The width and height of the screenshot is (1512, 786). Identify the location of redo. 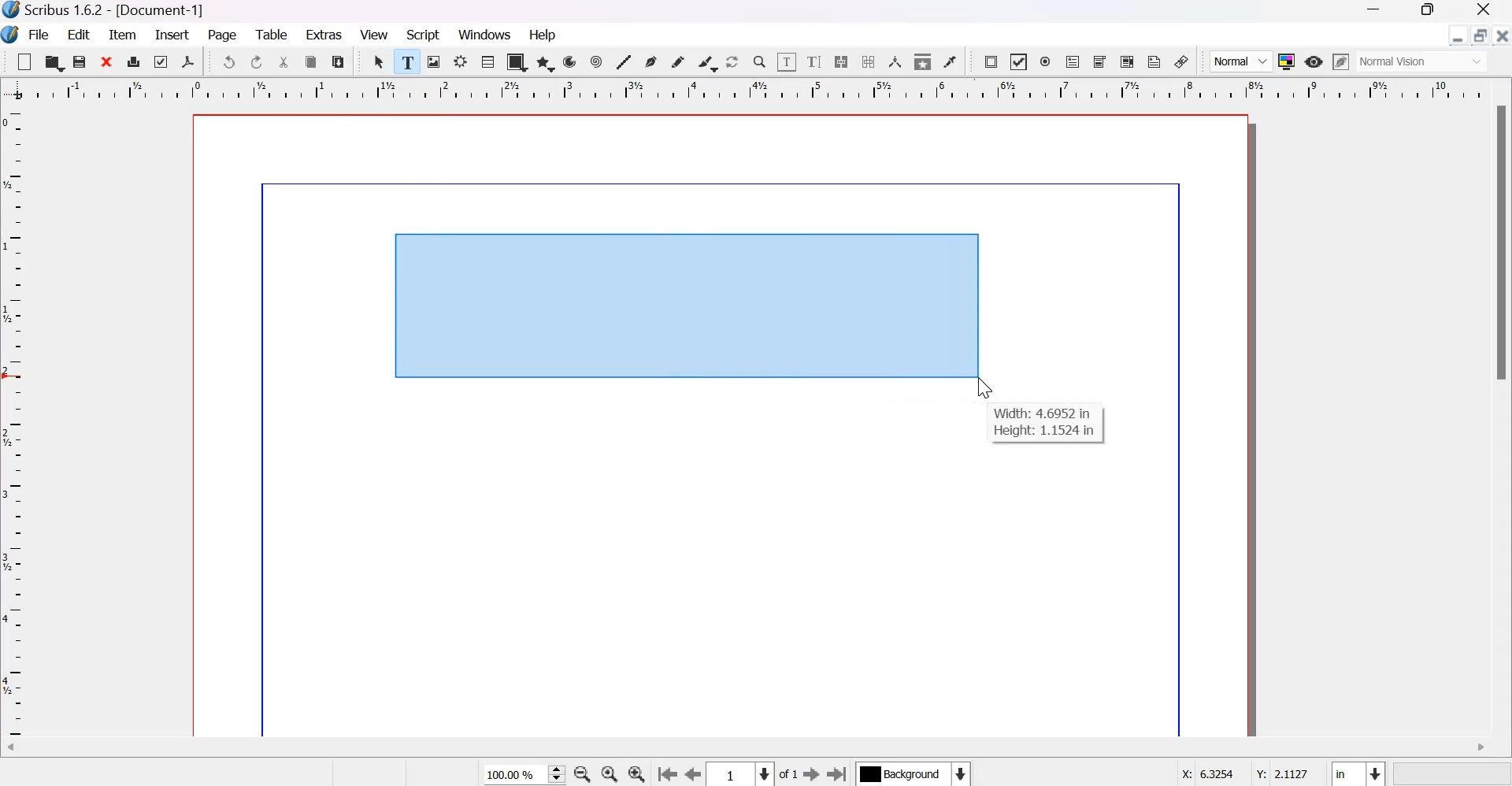
(258, 62).